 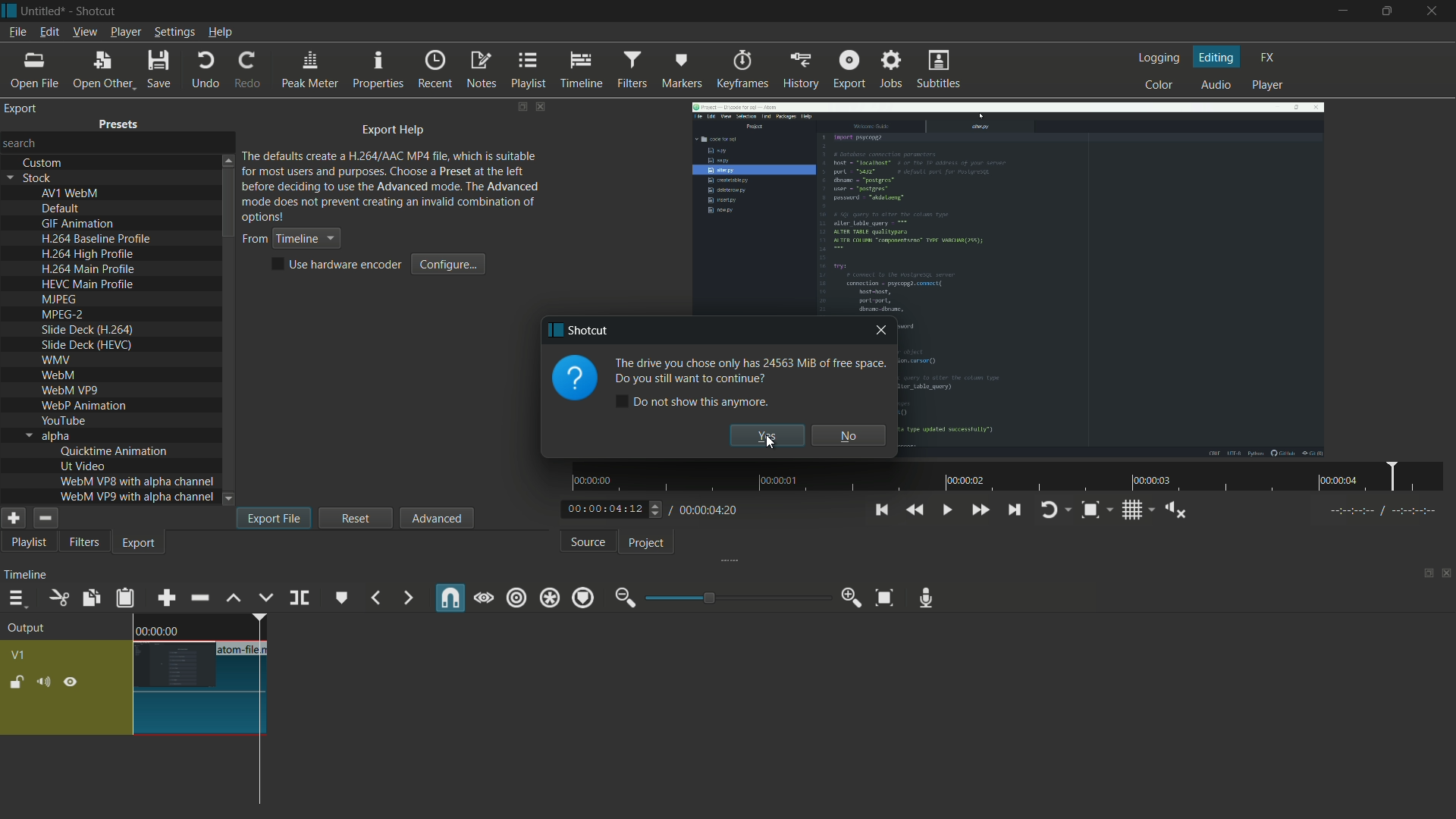 What do you see at coordinates (26, 544) in the screenshot?
I see `playlist` at bounding box center [26, 544].